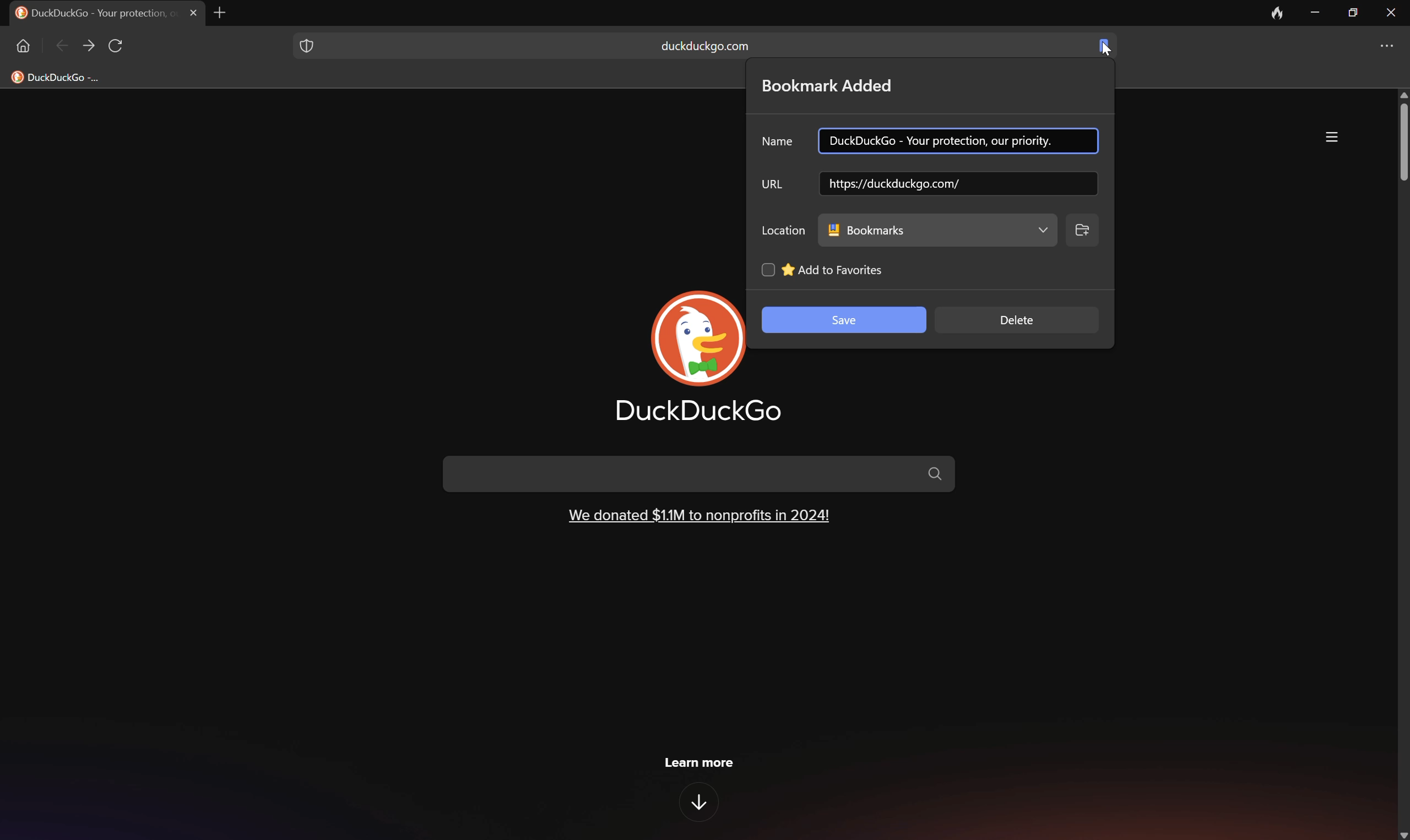  I want to click on Leave no trace, so click(1278, 12).